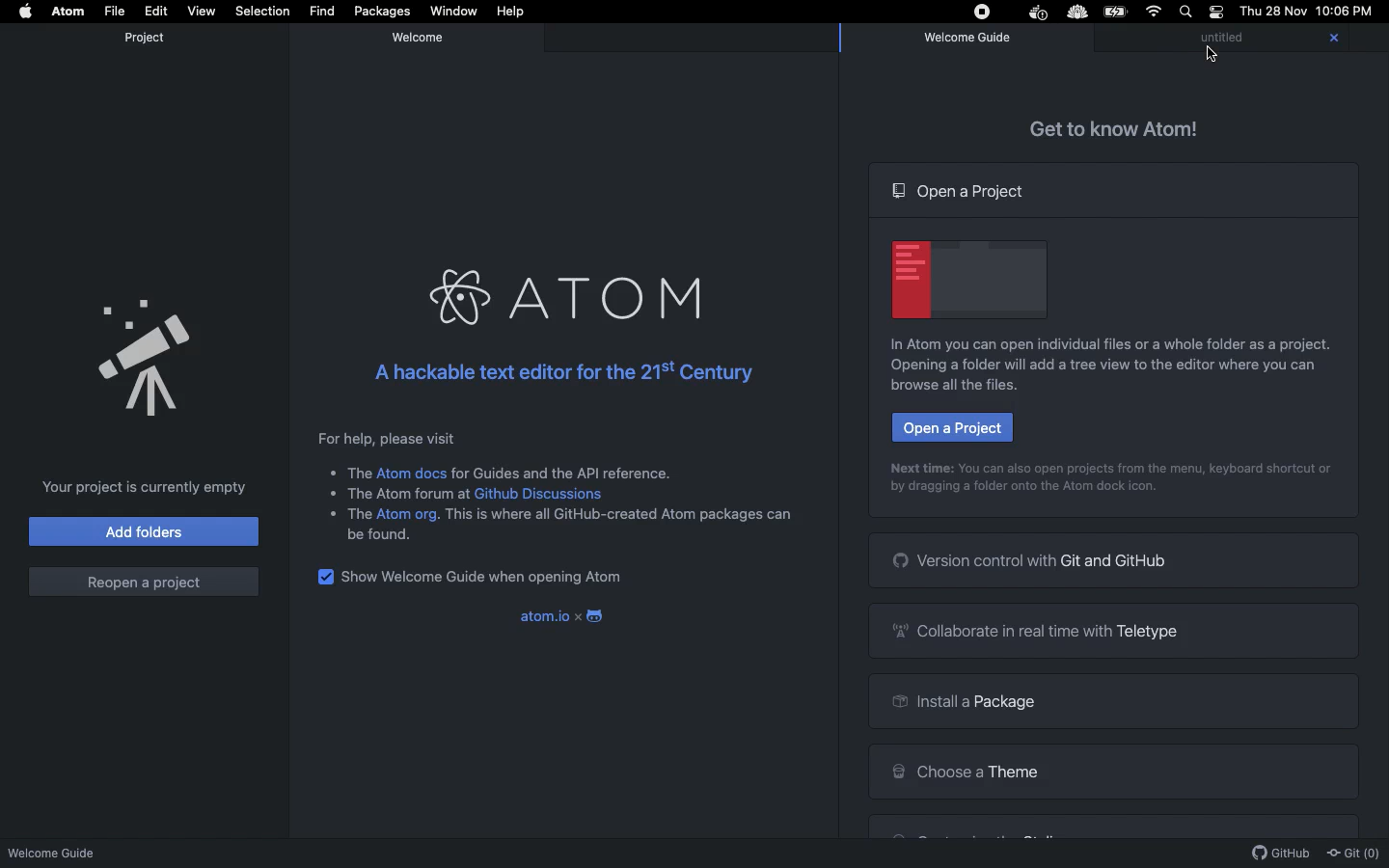  What do you see at coordinates (513, 12) in the screenshot?
I see `Help` at bounding box center [513, 12].